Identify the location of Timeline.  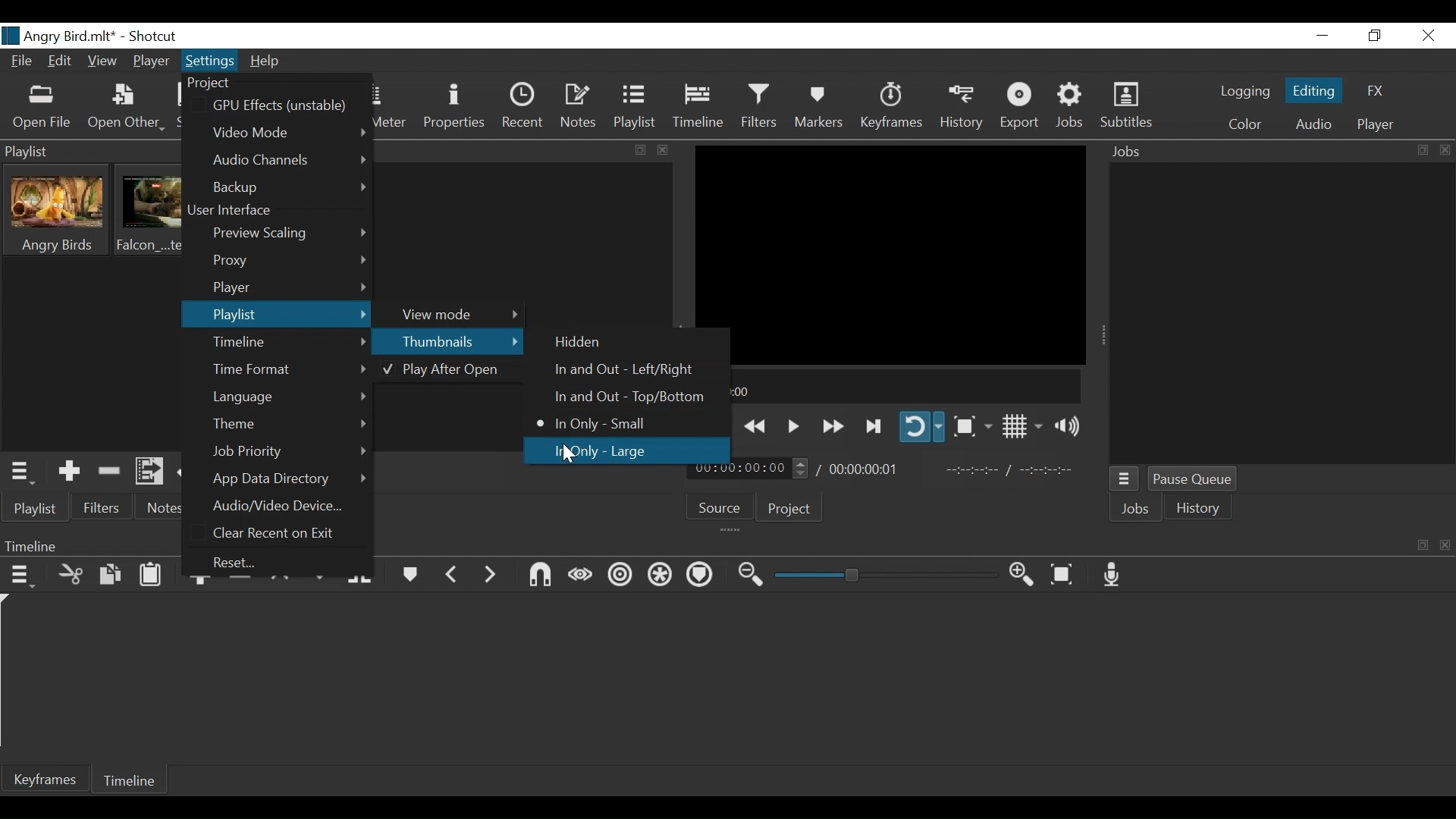
(290, 343).